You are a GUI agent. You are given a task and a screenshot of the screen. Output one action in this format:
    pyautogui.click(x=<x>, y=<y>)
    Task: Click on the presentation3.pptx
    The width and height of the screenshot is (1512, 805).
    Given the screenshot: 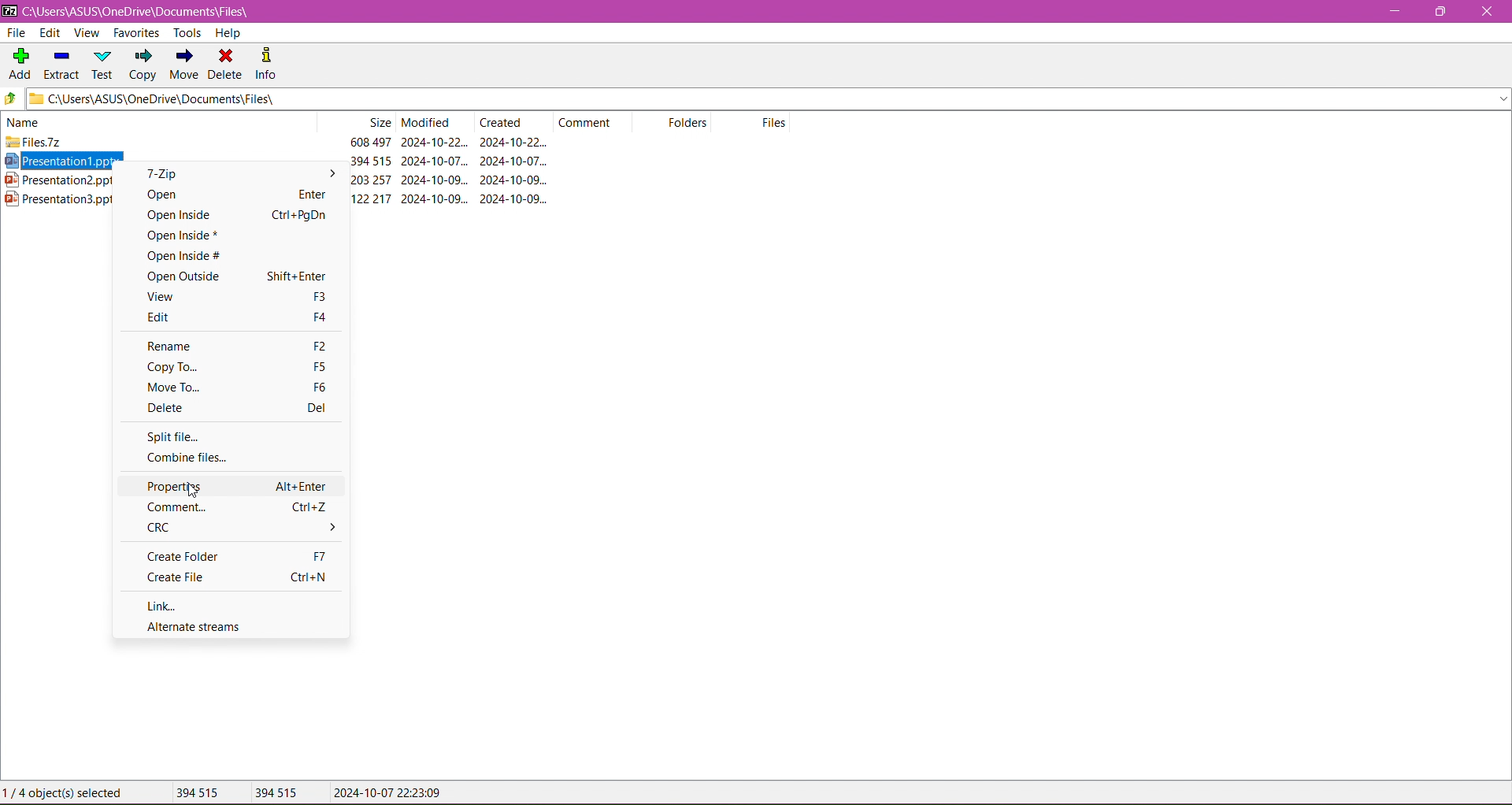 What is the action you would take?
    pyautogui.click(x=57, y=199)
    